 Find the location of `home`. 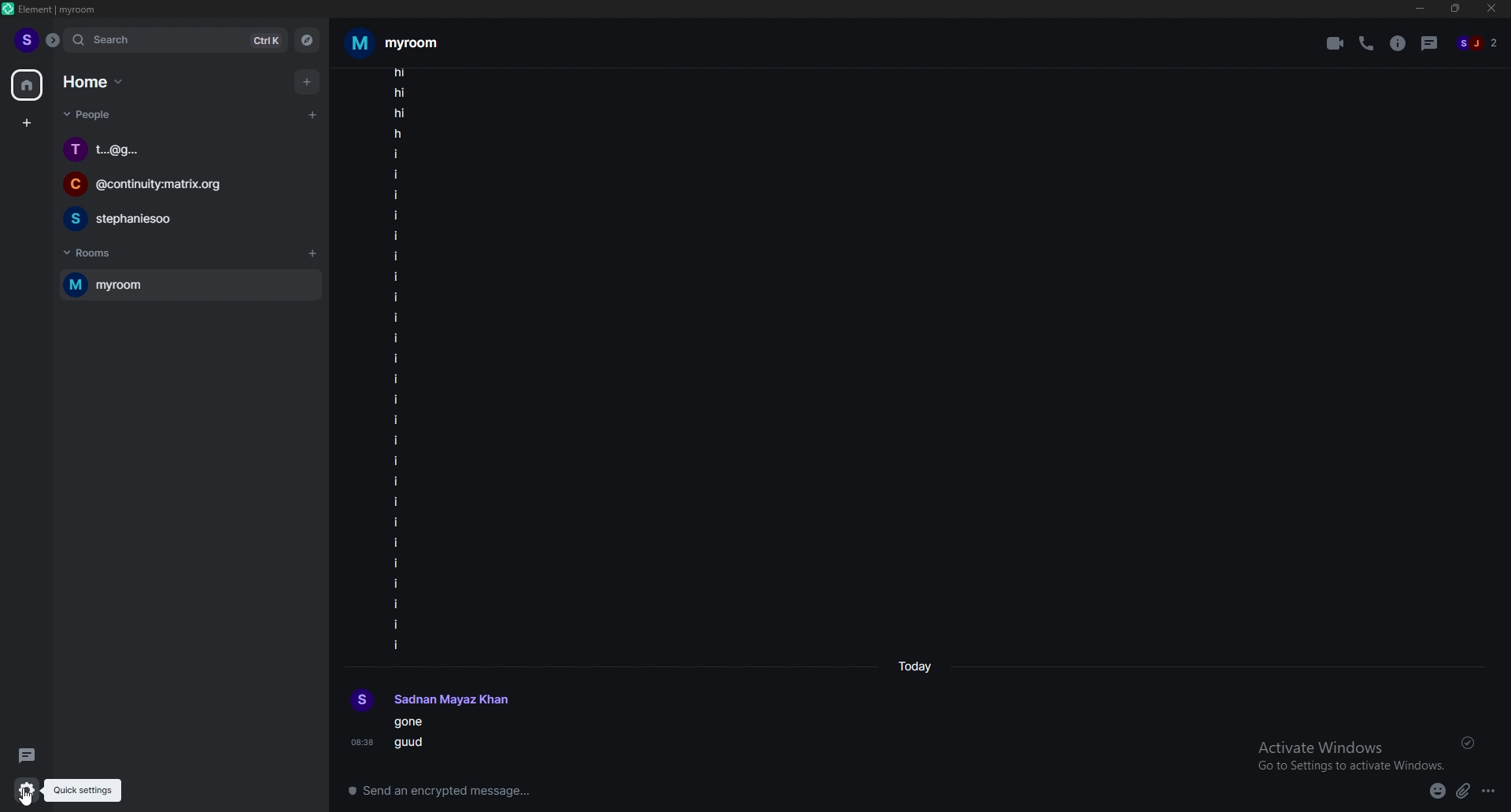

home is located at coordinates (93, 81).